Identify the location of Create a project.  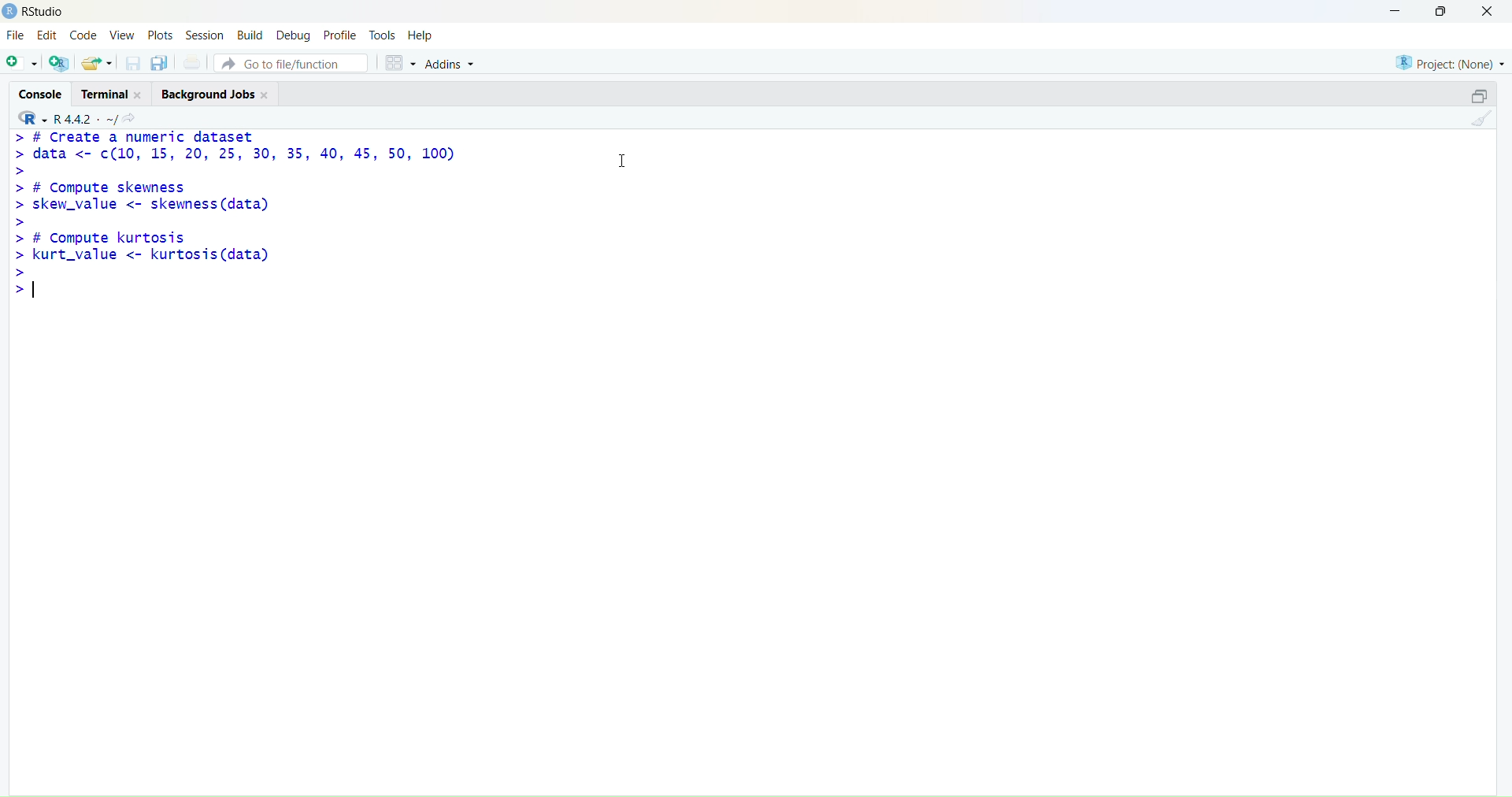
(59, 63).